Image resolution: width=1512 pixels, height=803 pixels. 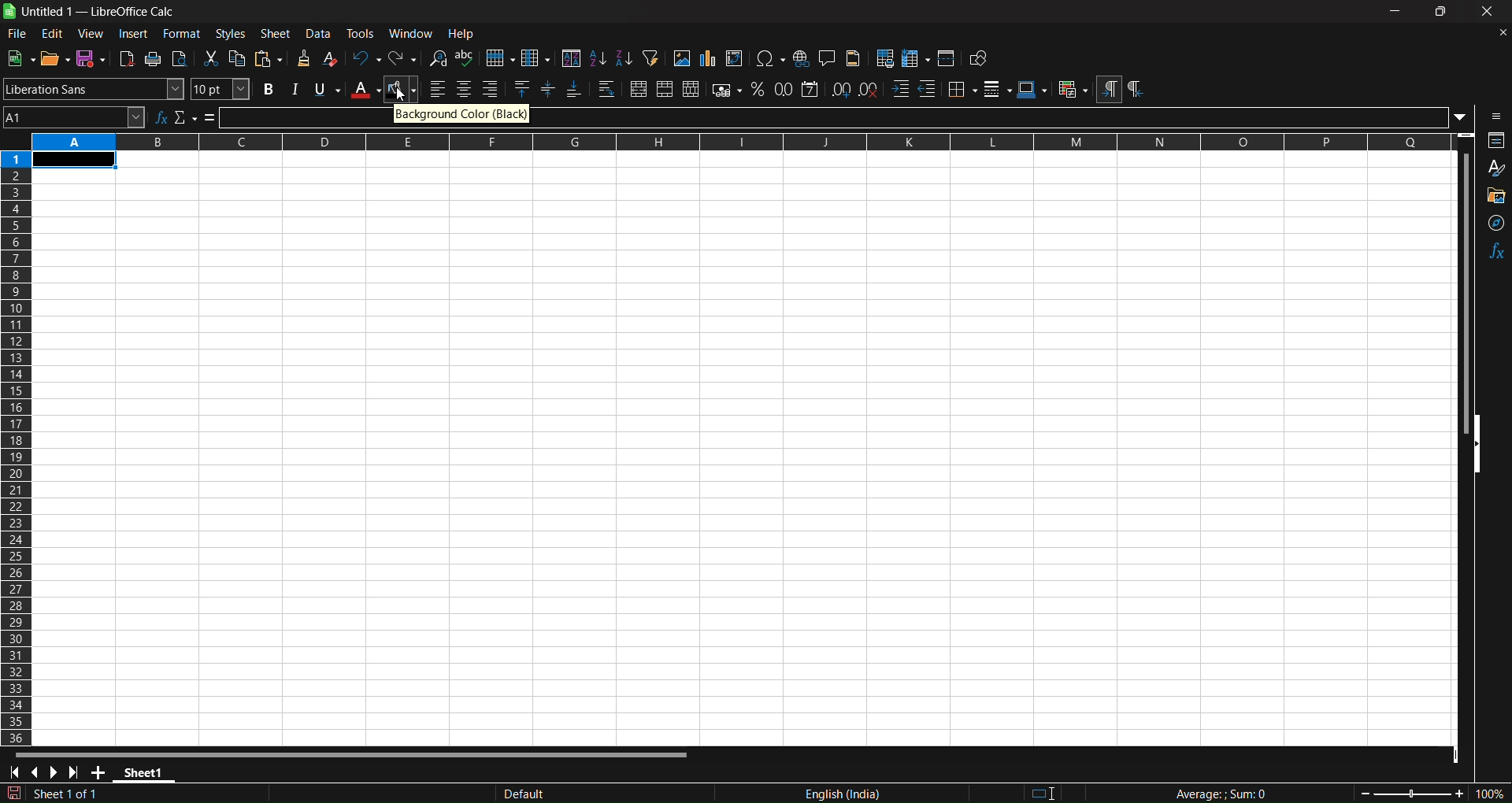 I want to click on find and replace, so click(x=438, y=58).